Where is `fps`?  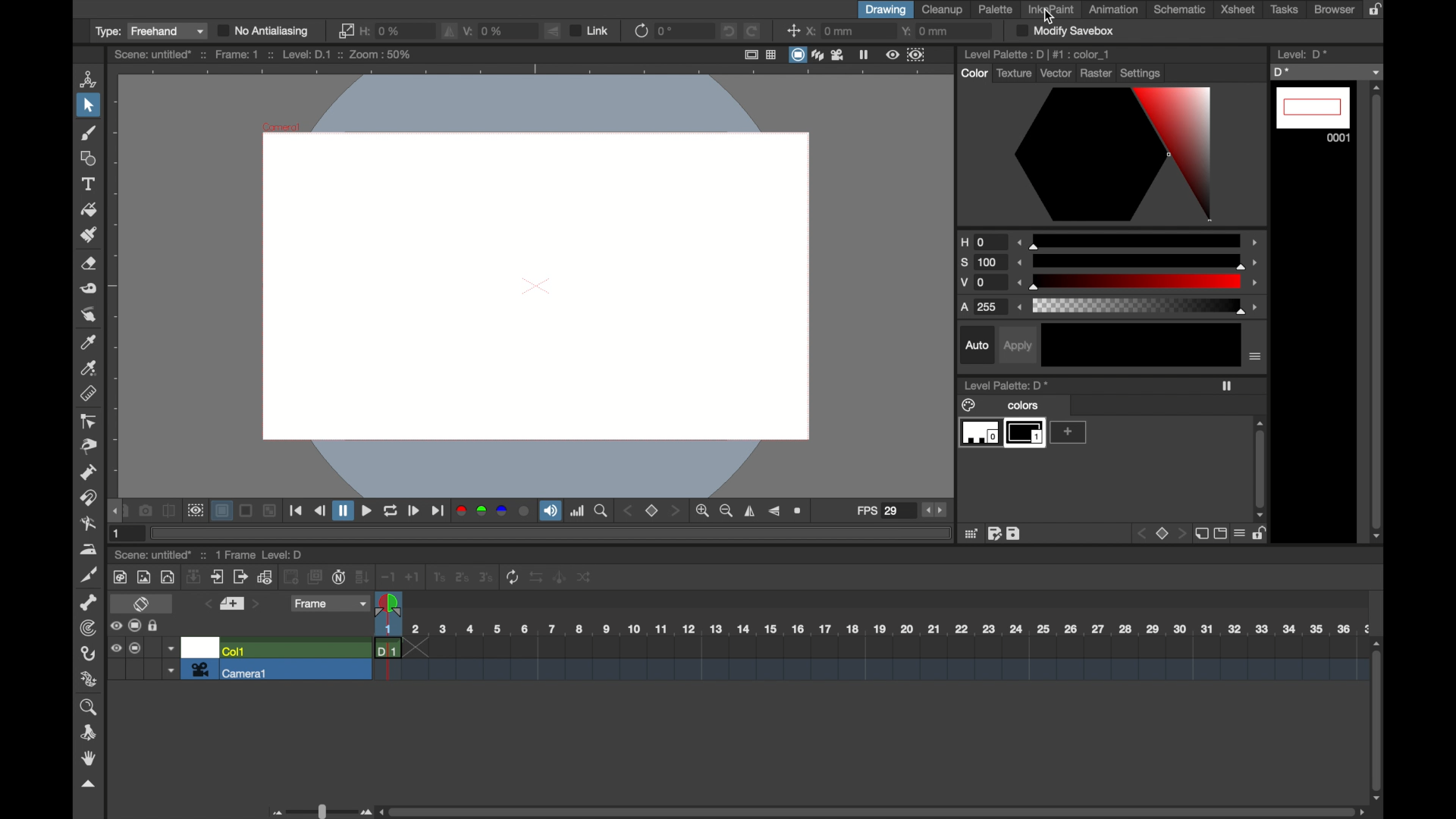 fps is located at coordinates (878, 510).